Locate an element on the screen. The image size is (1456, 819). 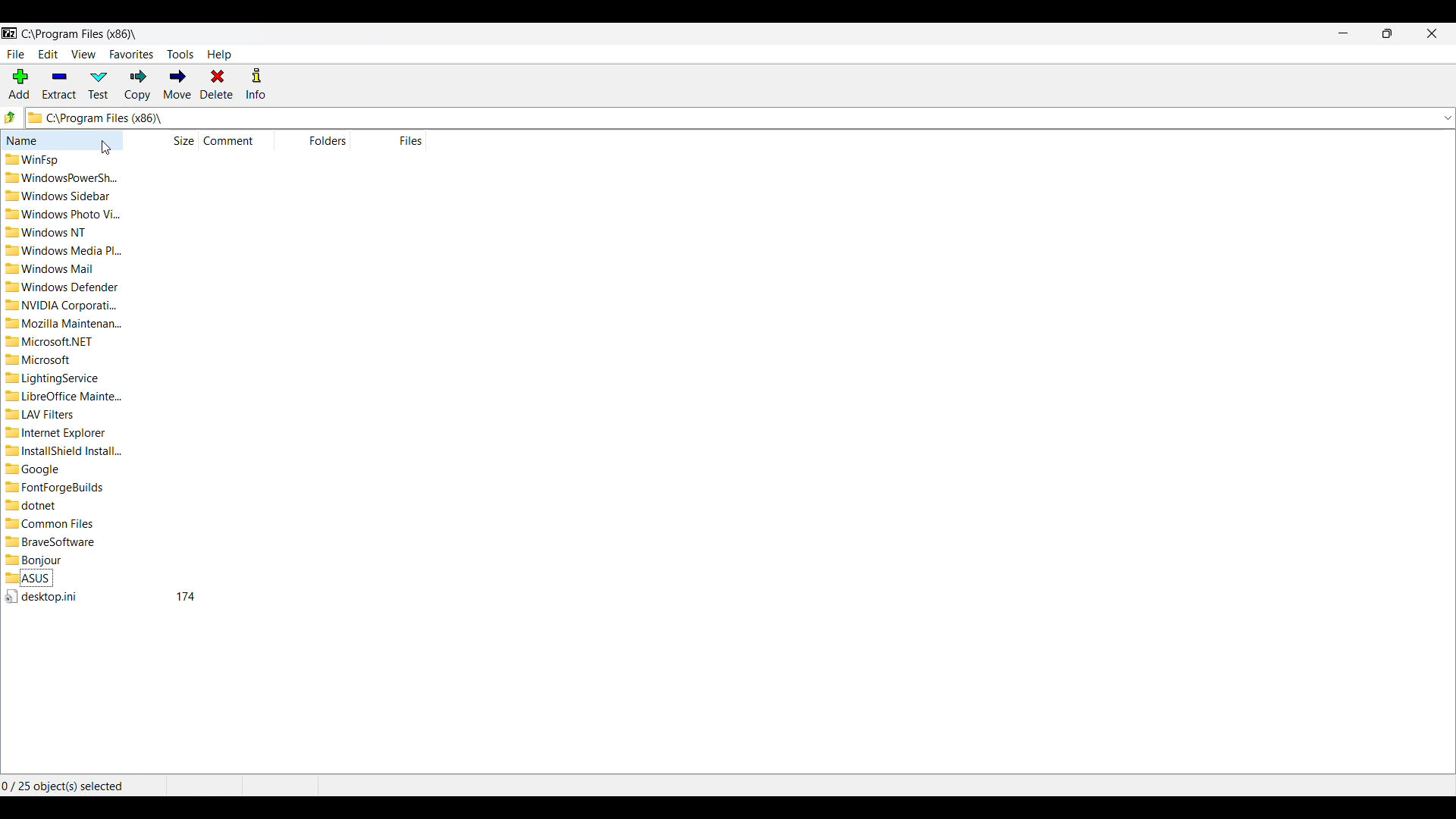
InstalShield Install.. is located at coordinates (67, 450).